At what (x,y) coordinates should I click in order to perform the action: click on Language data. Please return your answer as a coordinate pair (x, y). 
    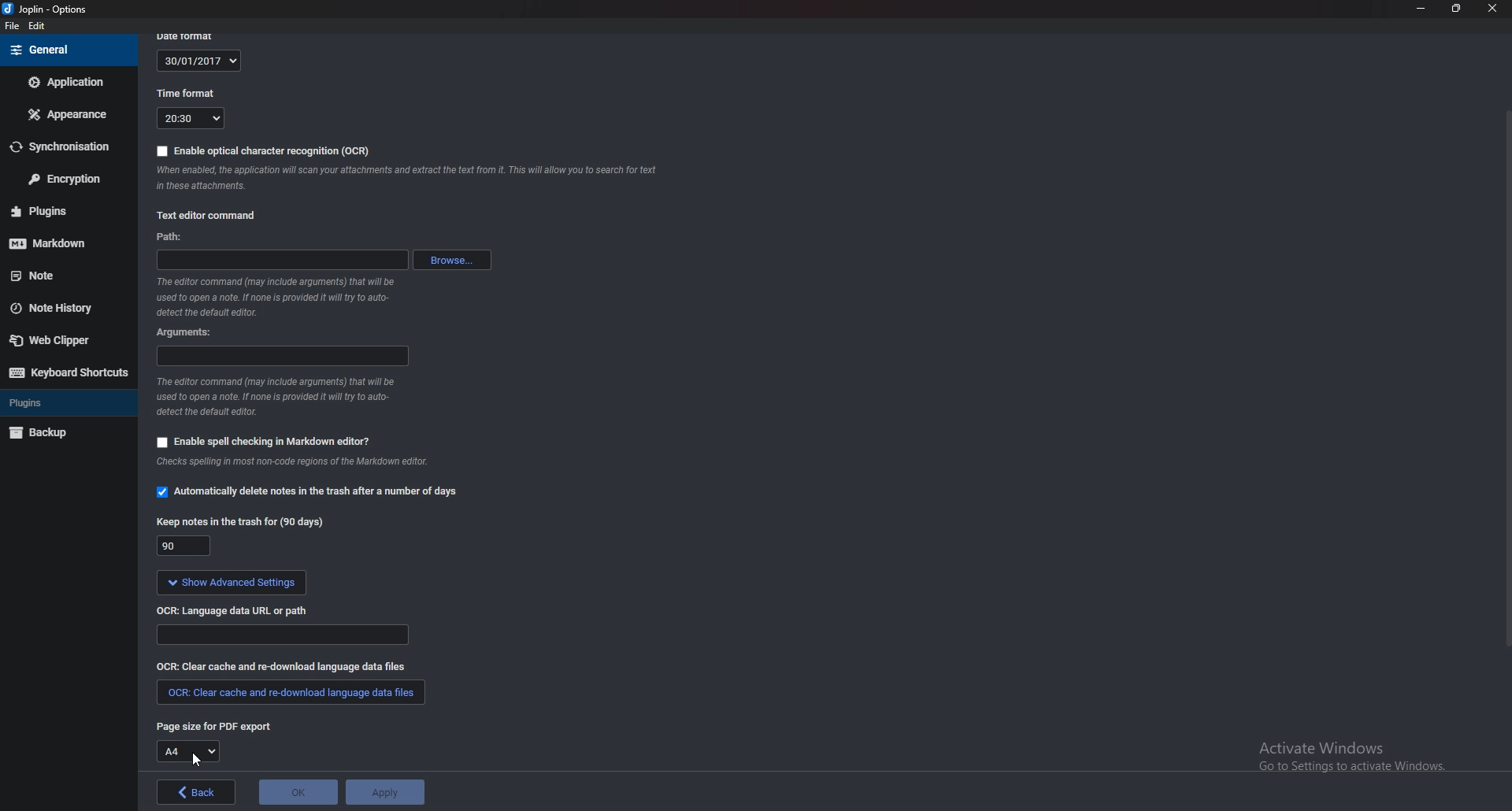
    Looking at the image, I should click on (280, 635).